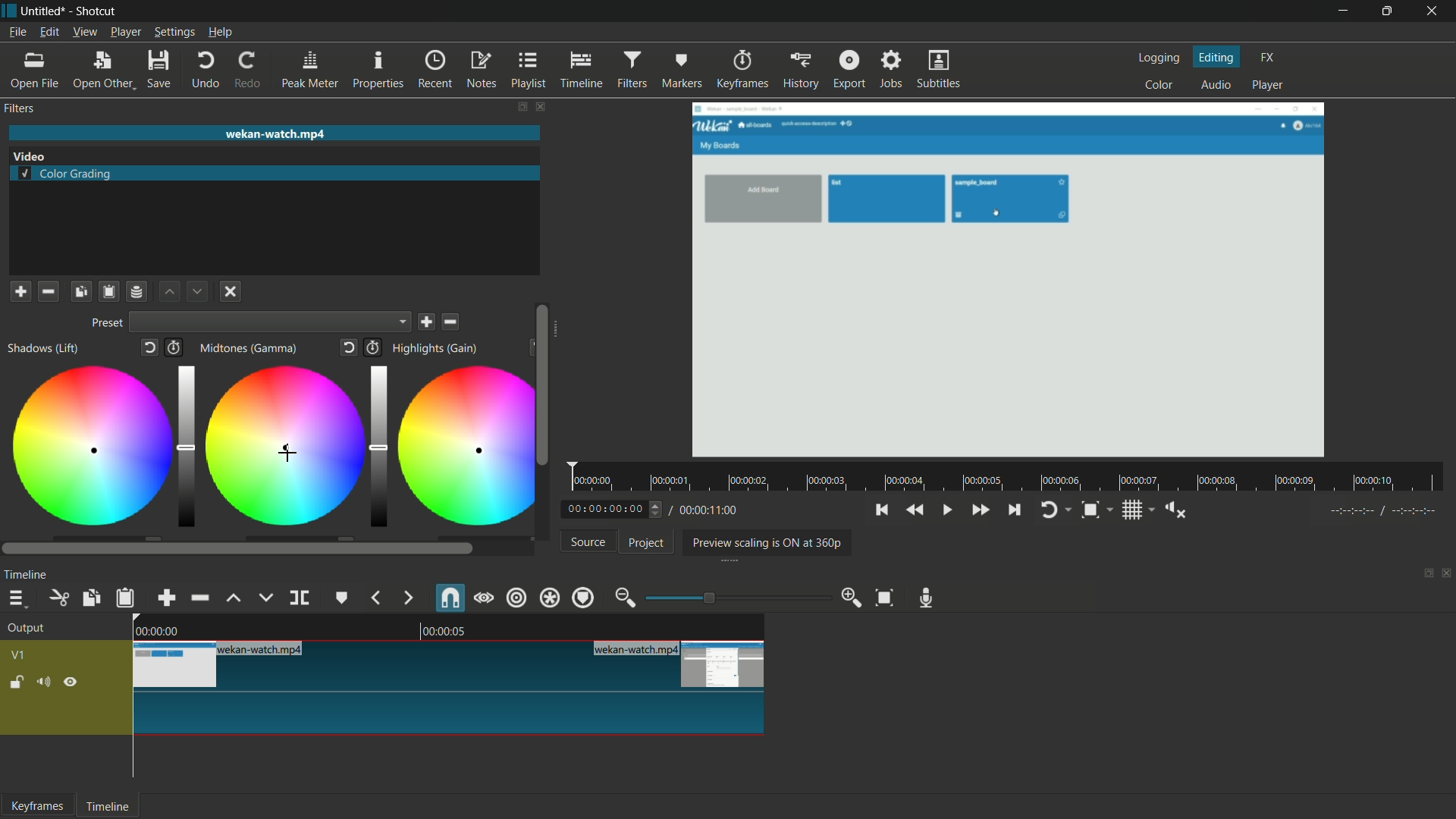 The image size is (1456, 819). I want to click on adjustment bar, so click(187, 447).